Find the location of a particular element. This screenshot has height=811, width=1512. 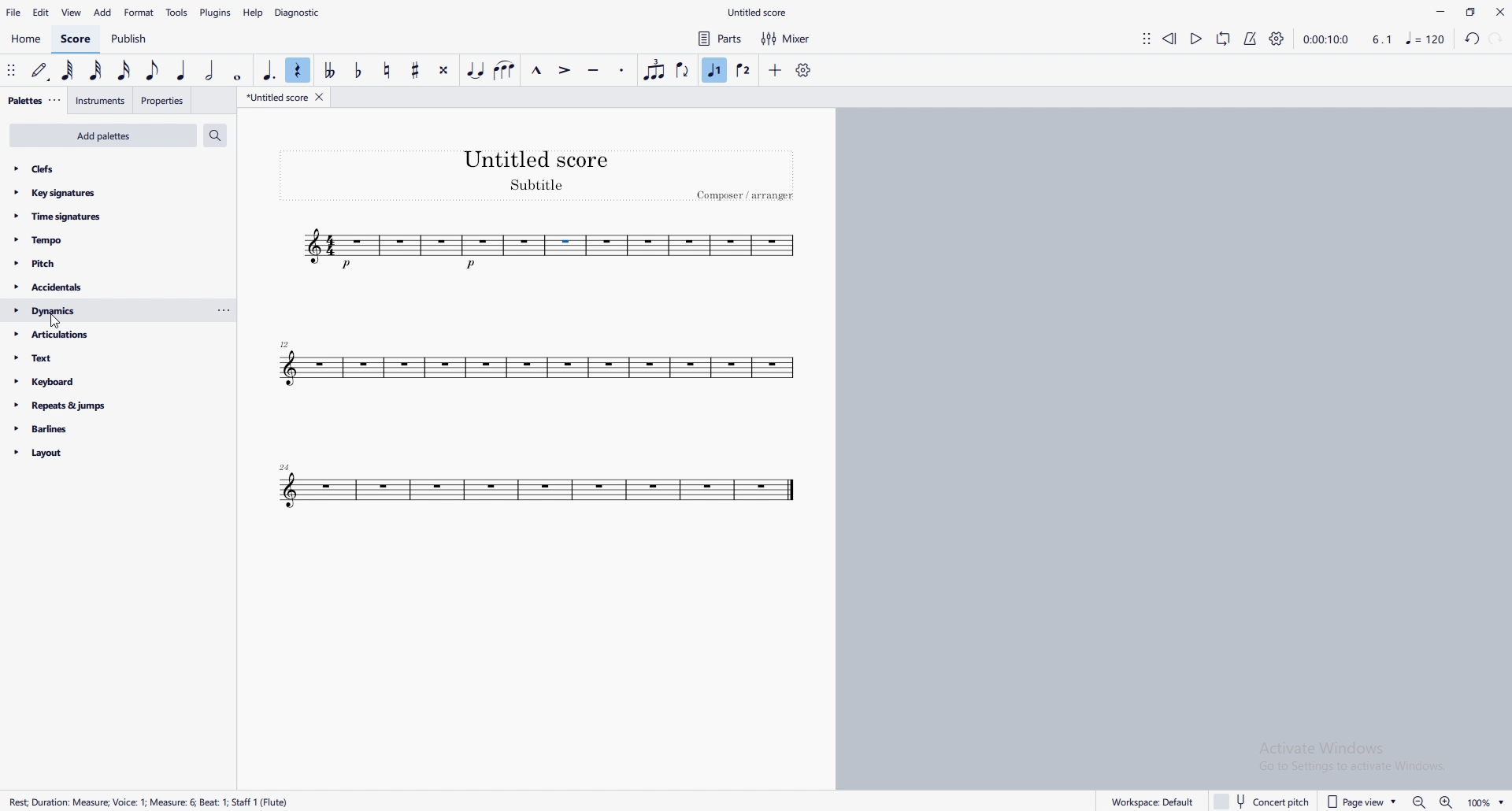

format is located at coordinates (139, 13).